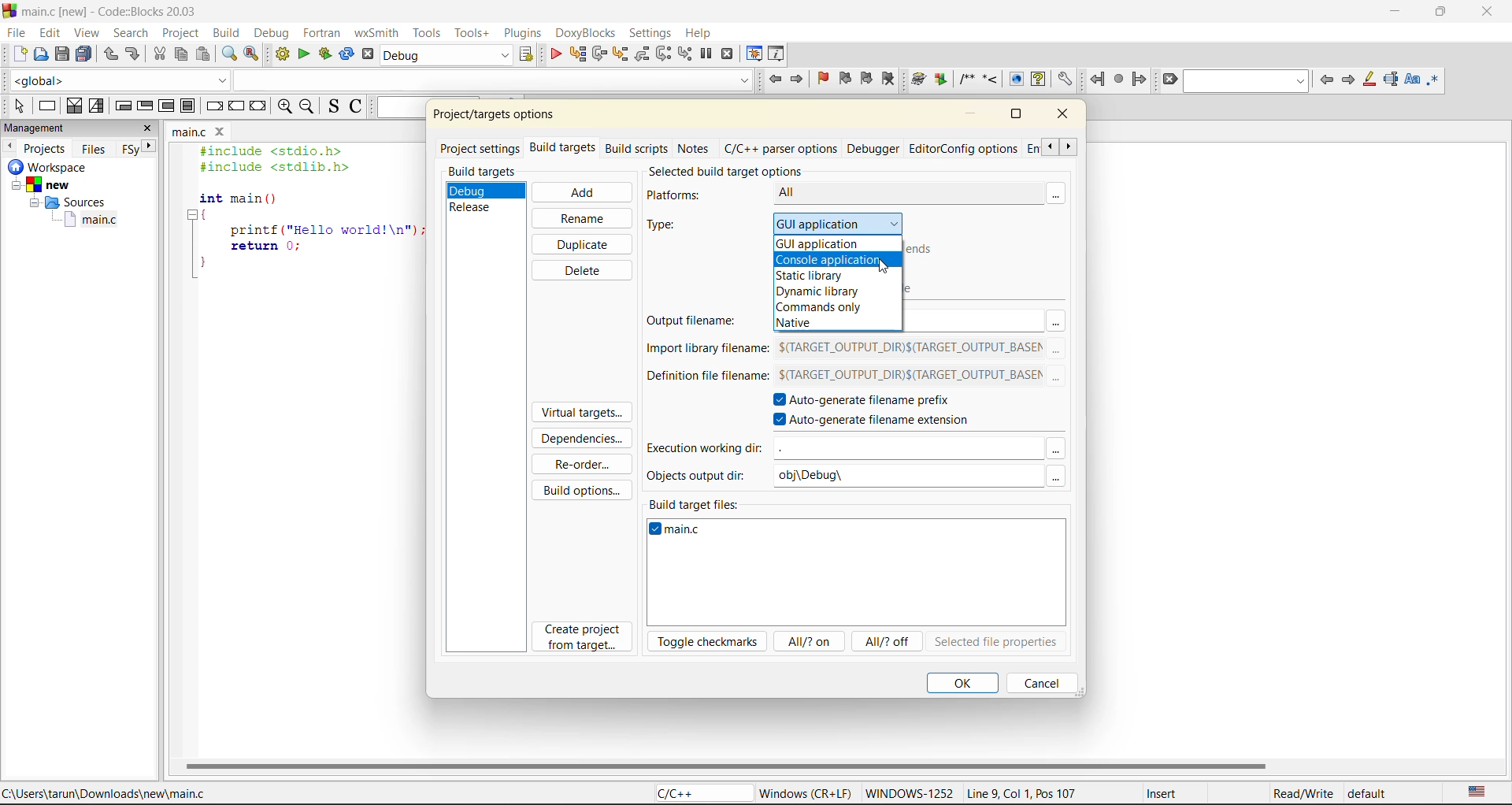  I want to click on Line 9, Col 1, Pos 107, so click(1021, 796).